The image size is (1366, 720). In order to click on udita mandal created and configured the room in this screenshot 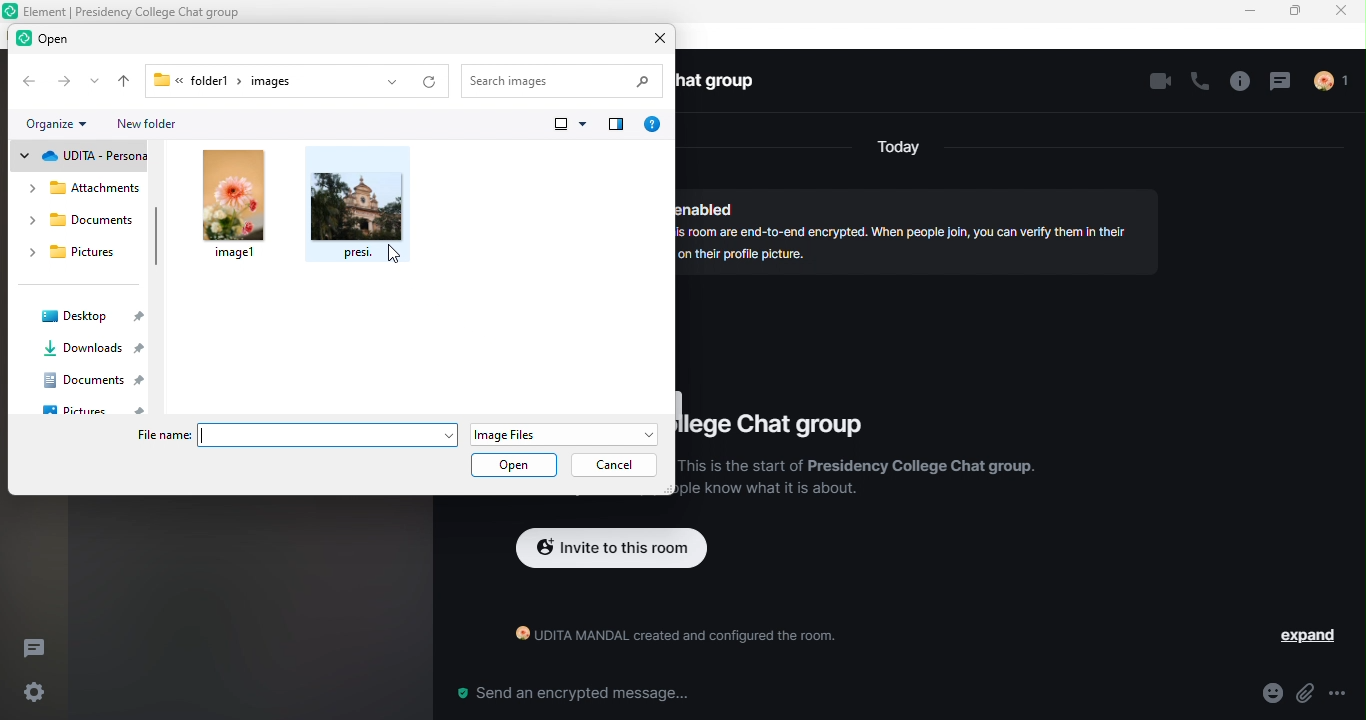, I will do `click(666, 639)`.